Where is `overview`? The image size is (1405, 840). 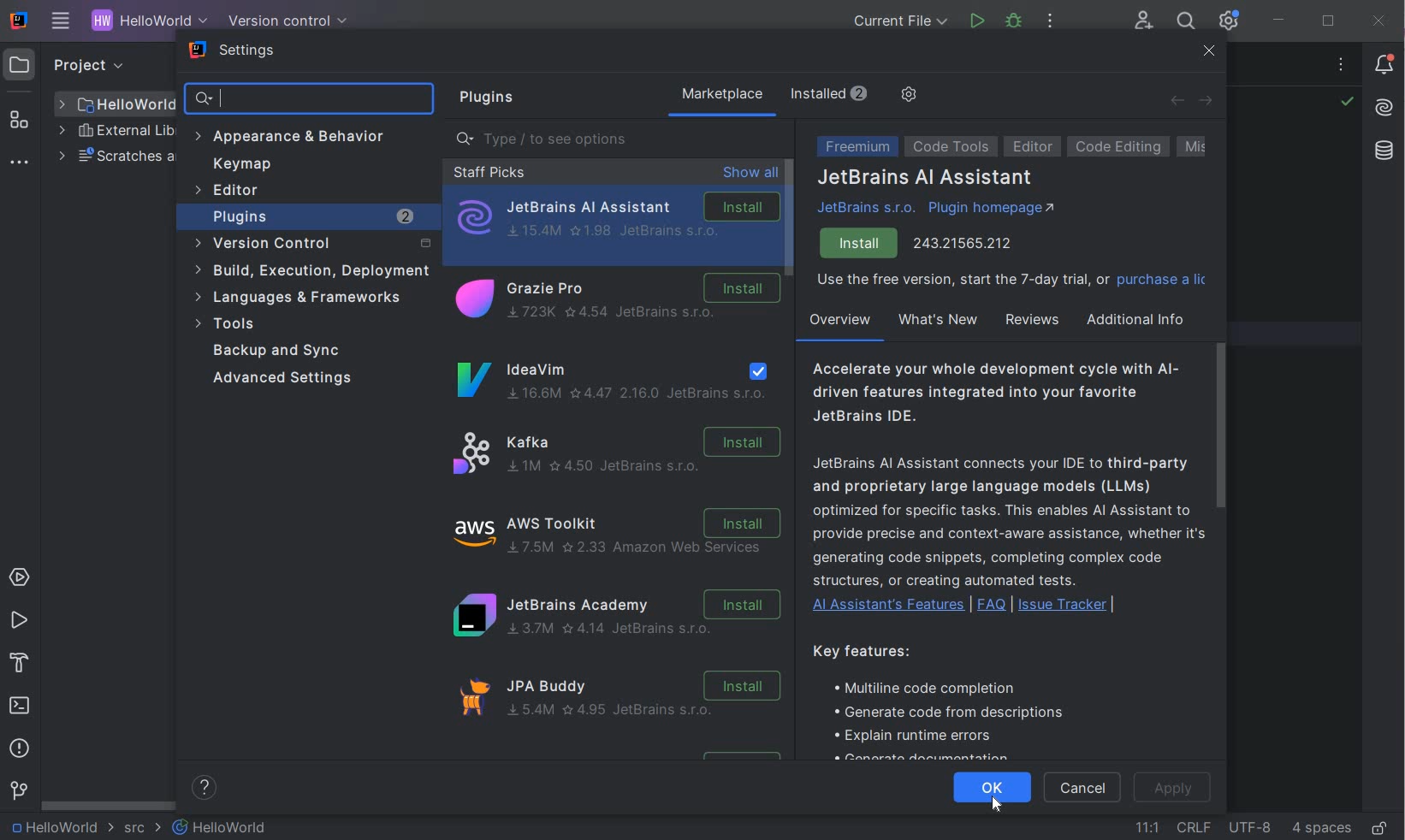 overview is located at coordinates (839, 323).